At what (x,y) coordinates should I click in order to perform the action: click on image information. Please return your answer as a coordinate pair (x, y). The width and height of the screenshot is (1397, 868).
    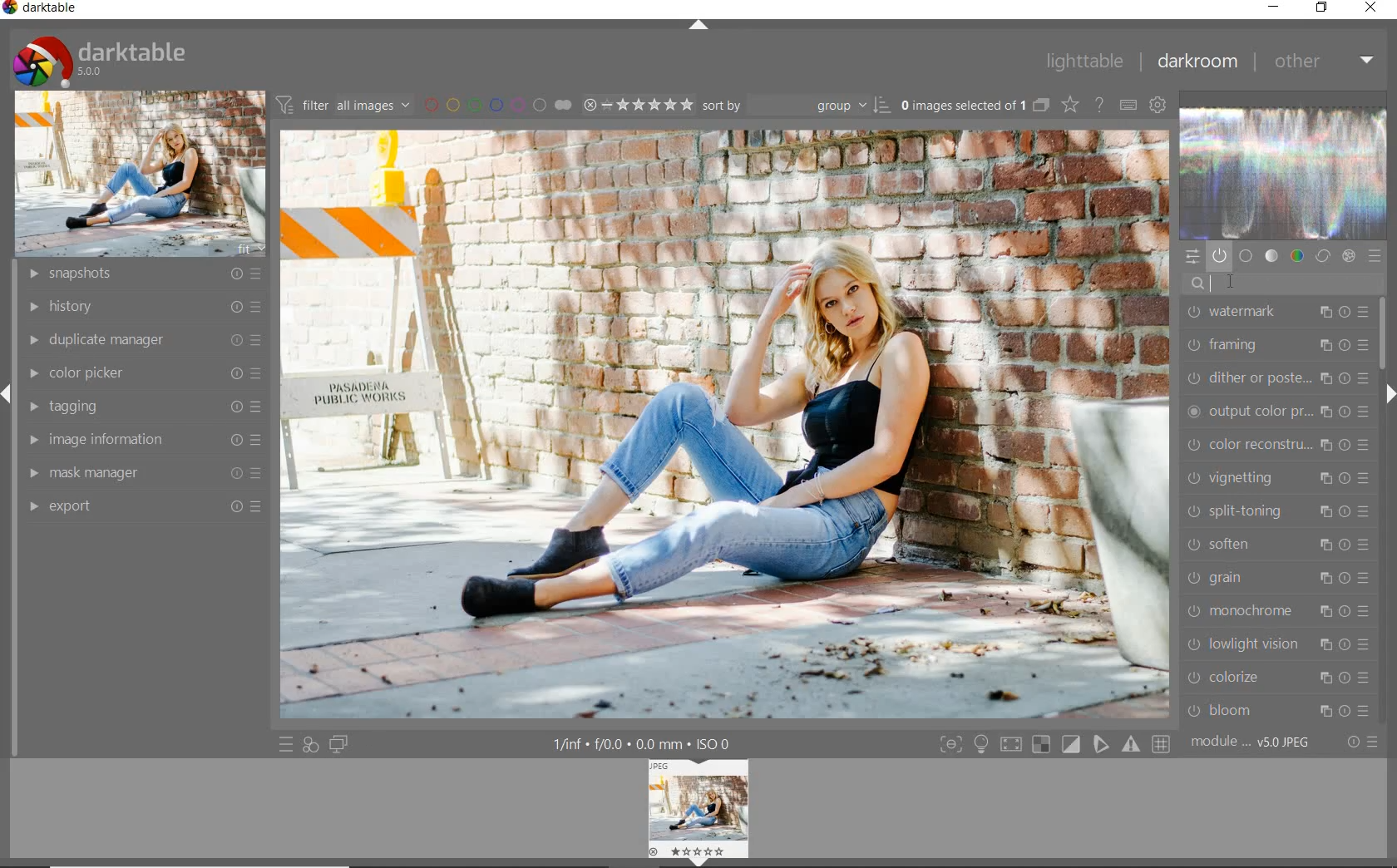
    Looking at the image, I should click on (141, 441).